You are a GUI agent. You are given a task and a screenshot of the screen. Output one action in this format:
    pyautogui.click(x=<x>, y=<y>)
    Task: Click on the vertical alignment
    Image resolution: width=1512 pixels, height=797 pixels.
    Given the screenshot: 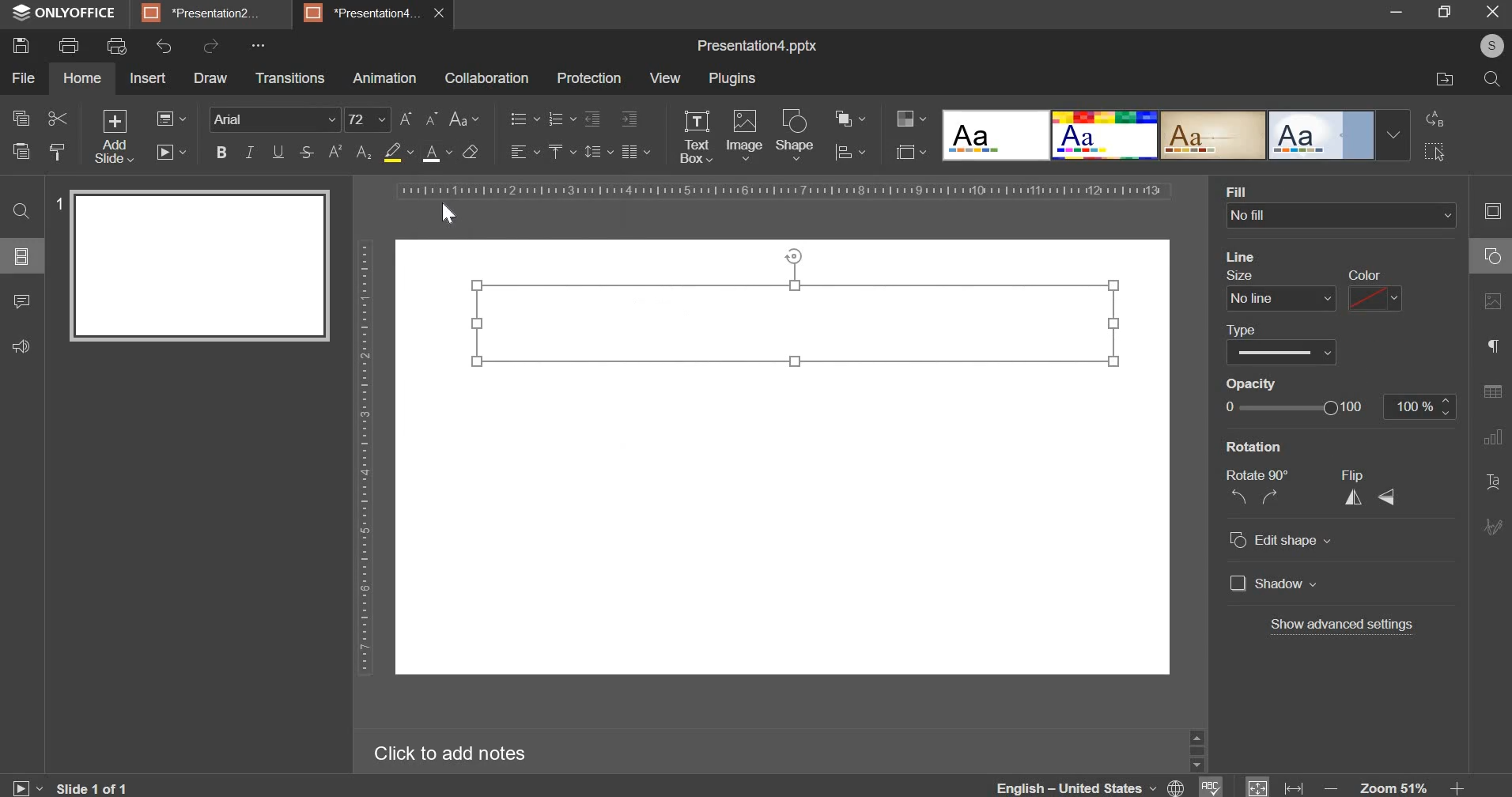 What is the action you would take?
    pyautogui.click(x=561, y=152)
    